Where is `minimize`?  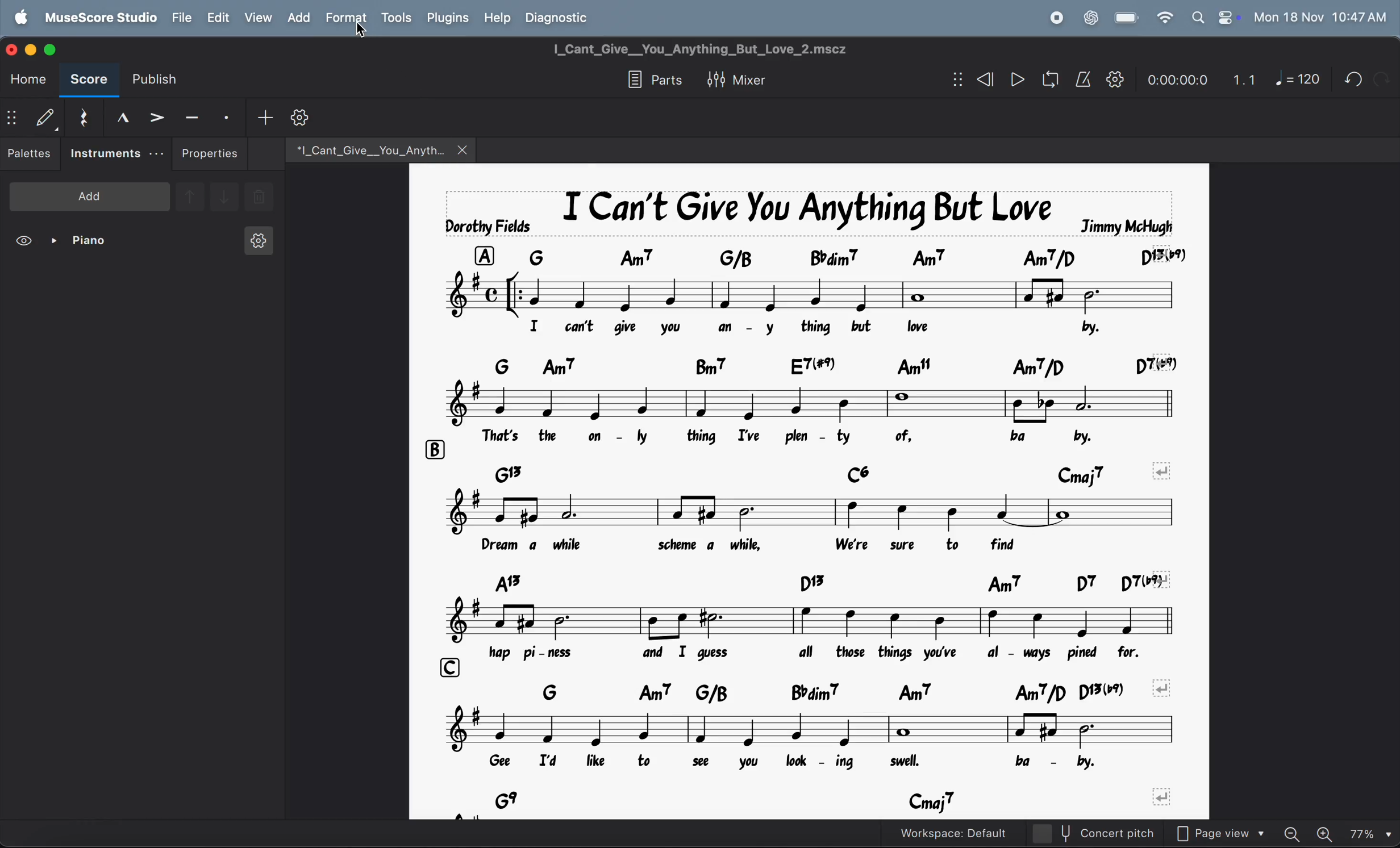
minimize is located at coordinates (33, 48).